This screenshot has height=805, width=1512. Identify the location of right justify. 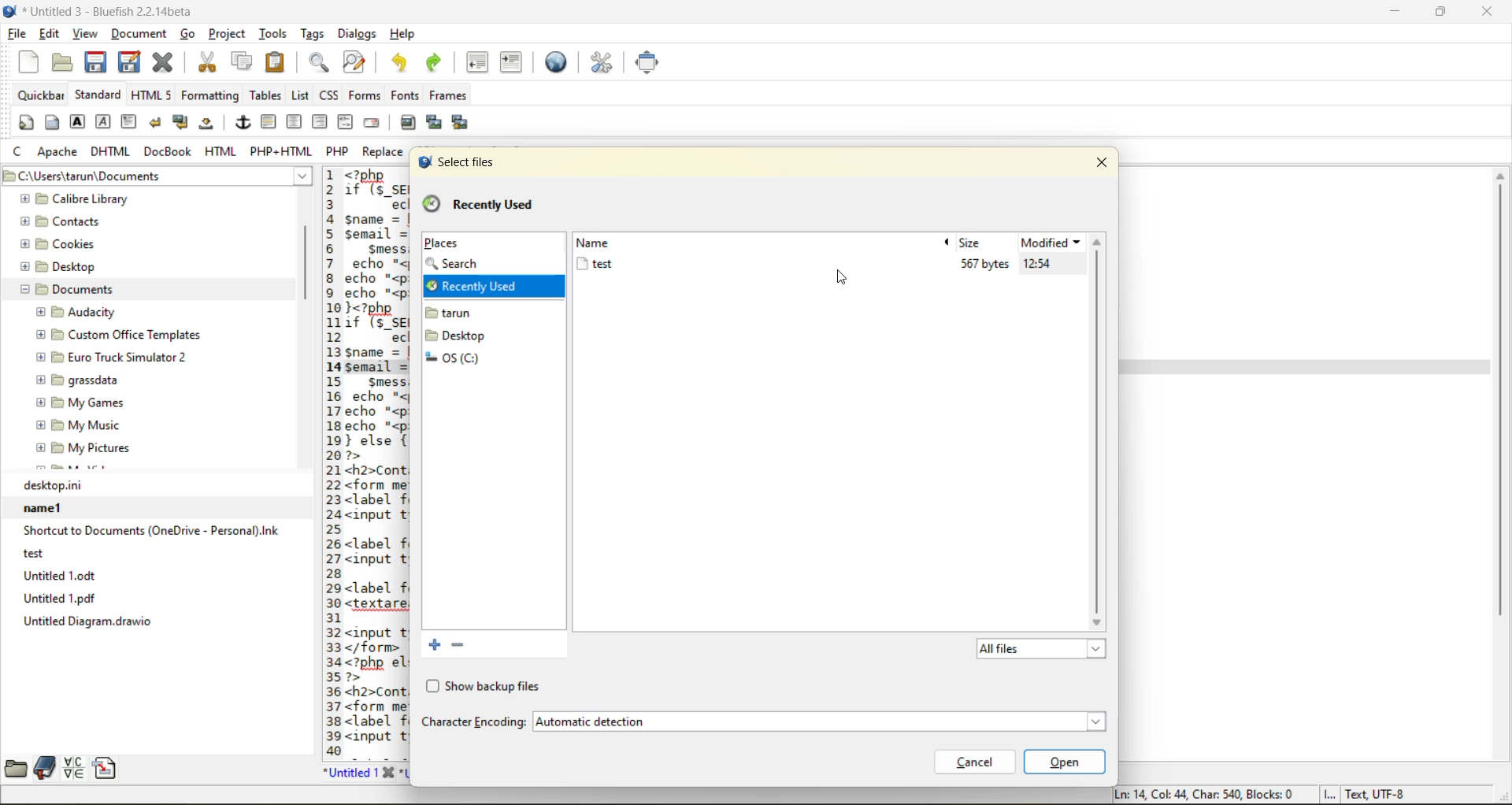
(320, 122).